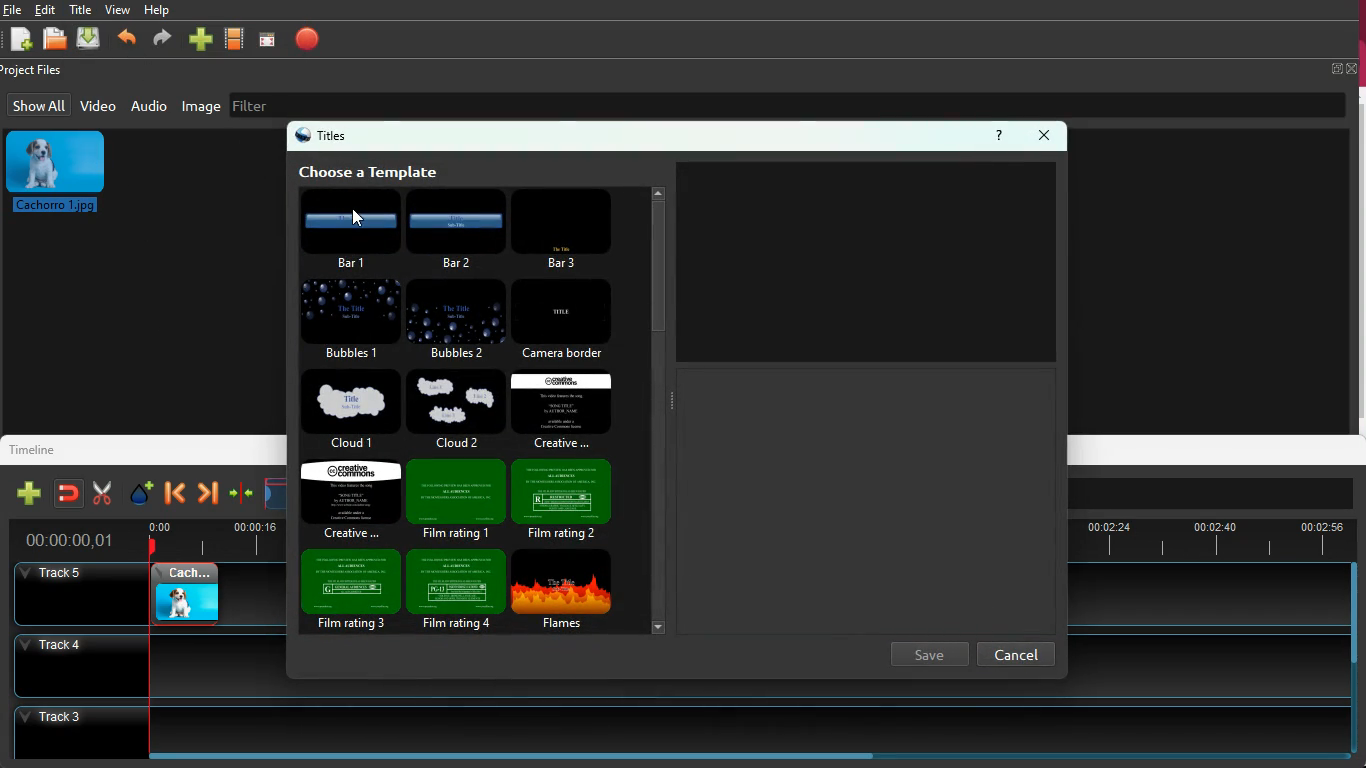 This screenshot has width=1366, height=768. What do you see at coordinates (1344, 68) in the screenshot?
I see `full screen` at bounding box center [1344, 68].